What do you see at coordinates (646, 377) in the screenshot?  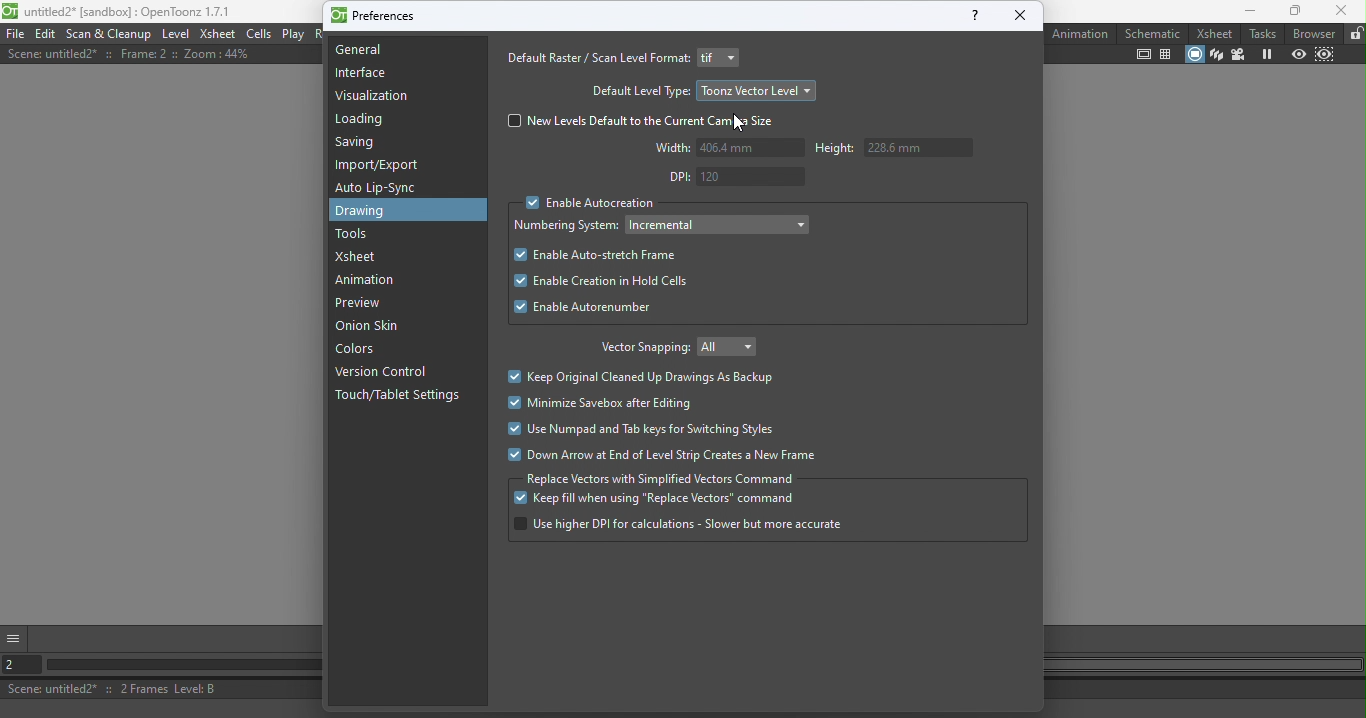 I see `Keep original cleaned up drawings as backup` at bounding box center [646, 377].